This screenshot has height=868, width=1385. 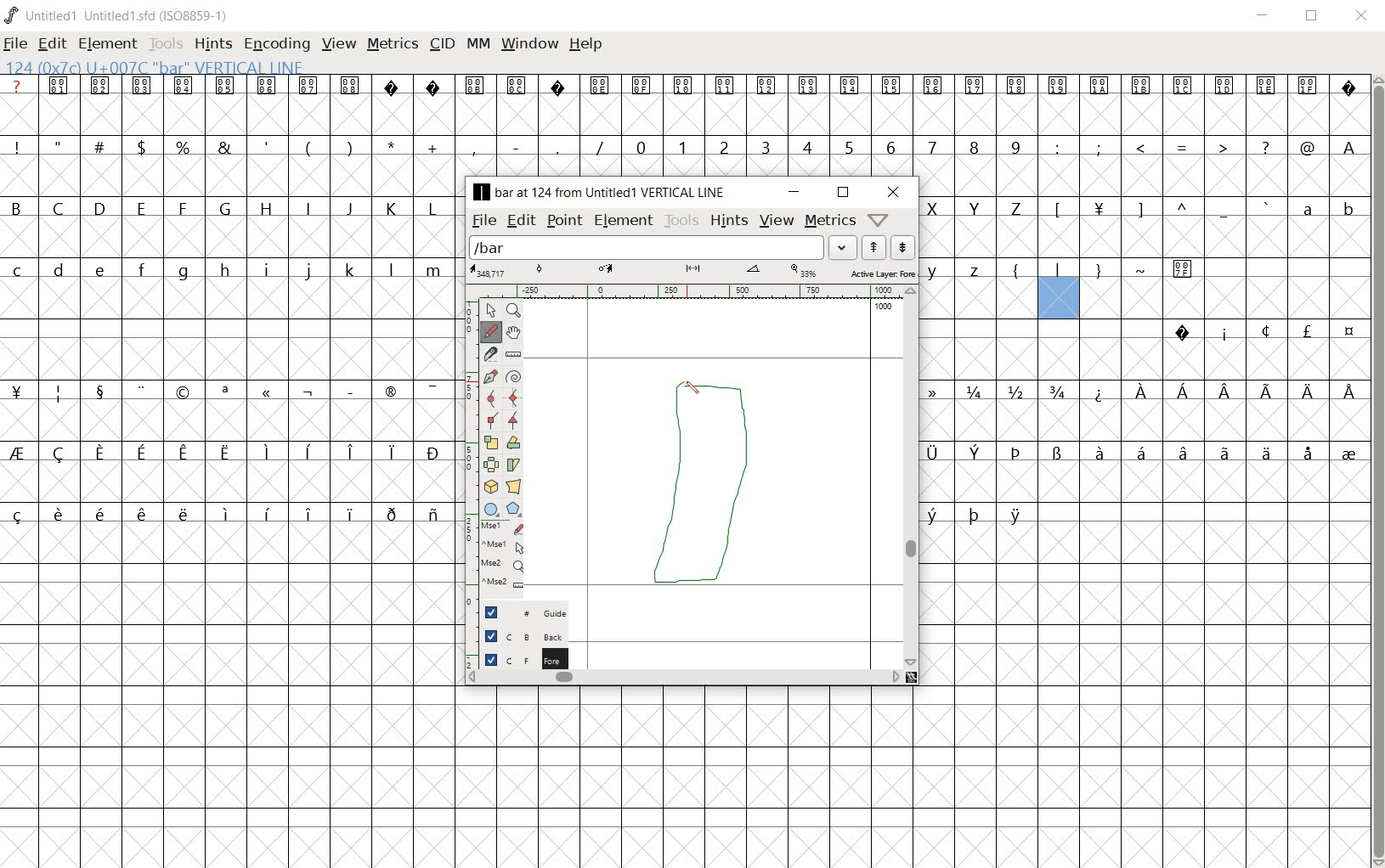 What do you see at coordinates (107, 44) in the screenshot?
I see `element` at bounding box center [107, 44].